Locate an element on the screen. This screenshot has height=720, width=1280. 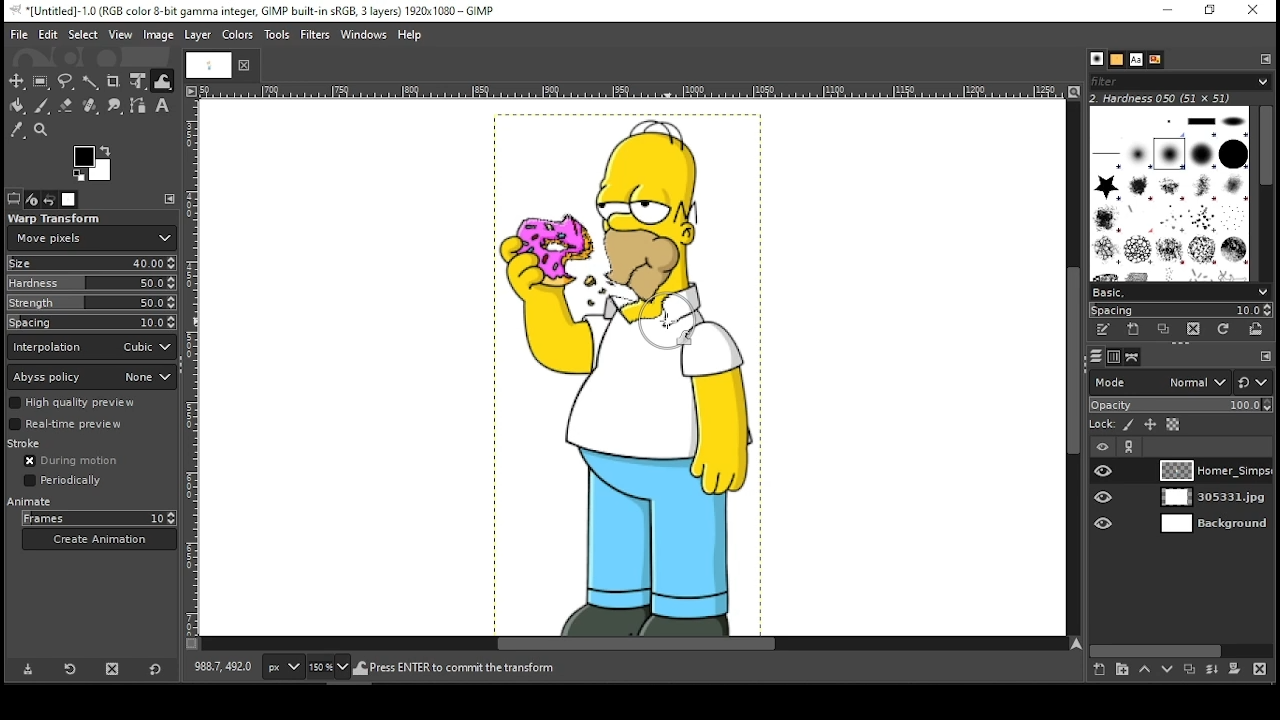
windows is located at coordinates (363, 34).